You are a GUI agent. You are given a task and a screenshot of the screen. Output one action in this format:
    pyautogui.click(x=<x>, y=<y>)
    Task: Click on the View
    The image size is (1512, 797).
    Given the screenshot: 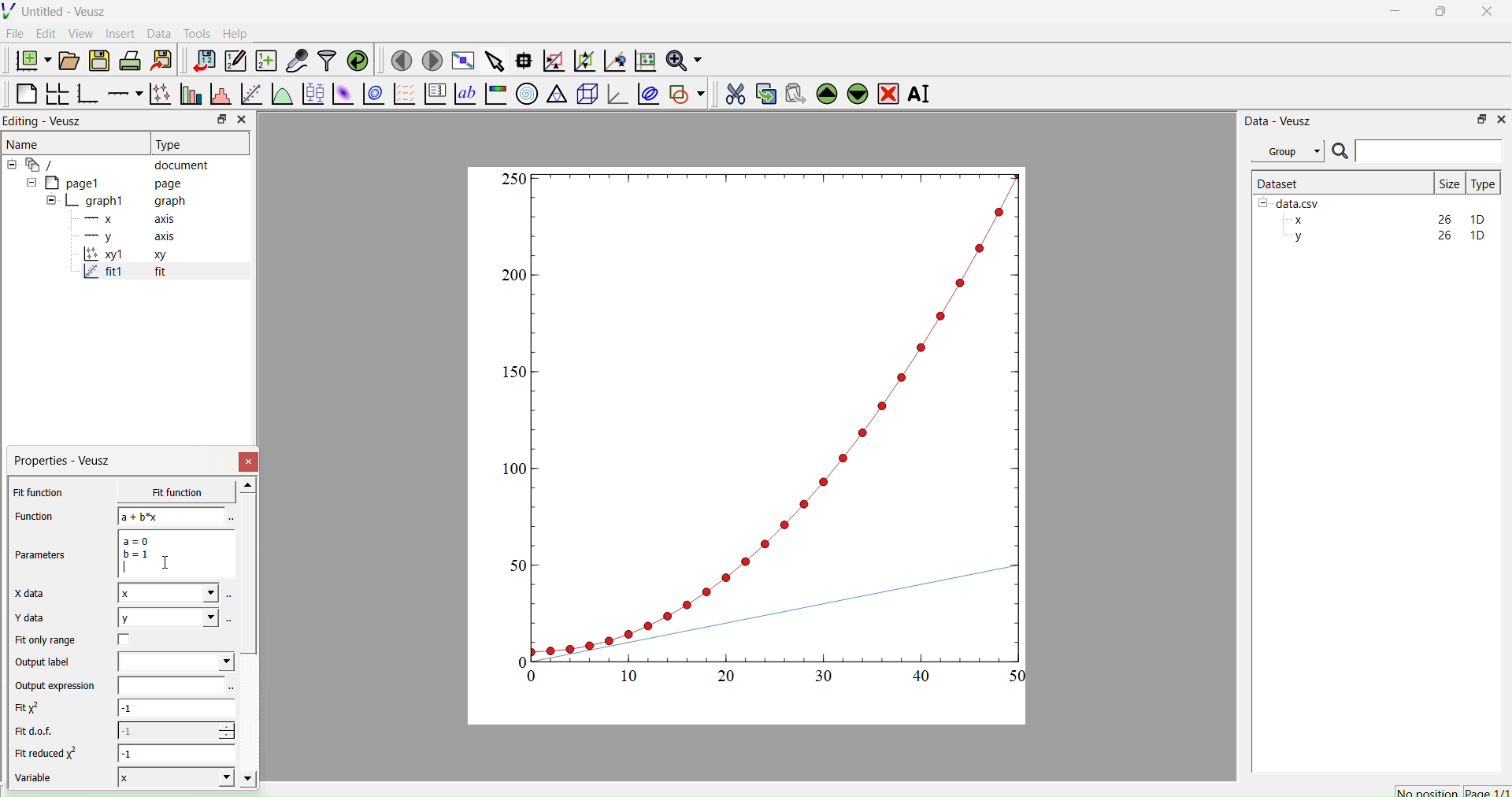 What is the action you would take?
    pyautogui.click(x=80, y=32)
    